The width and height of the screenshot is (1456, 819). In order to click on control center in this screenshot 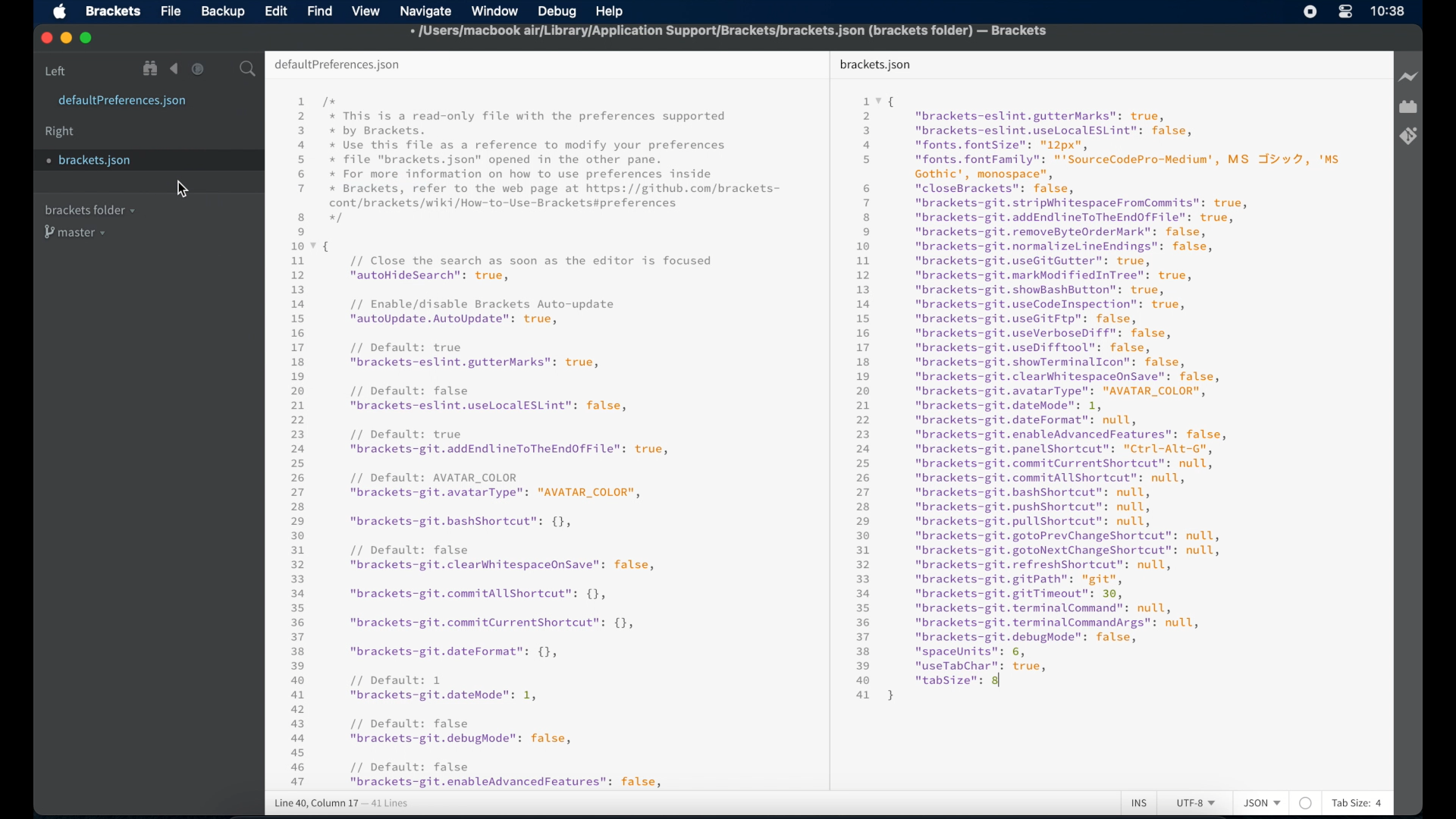, I will do `click(1345, 11)`.